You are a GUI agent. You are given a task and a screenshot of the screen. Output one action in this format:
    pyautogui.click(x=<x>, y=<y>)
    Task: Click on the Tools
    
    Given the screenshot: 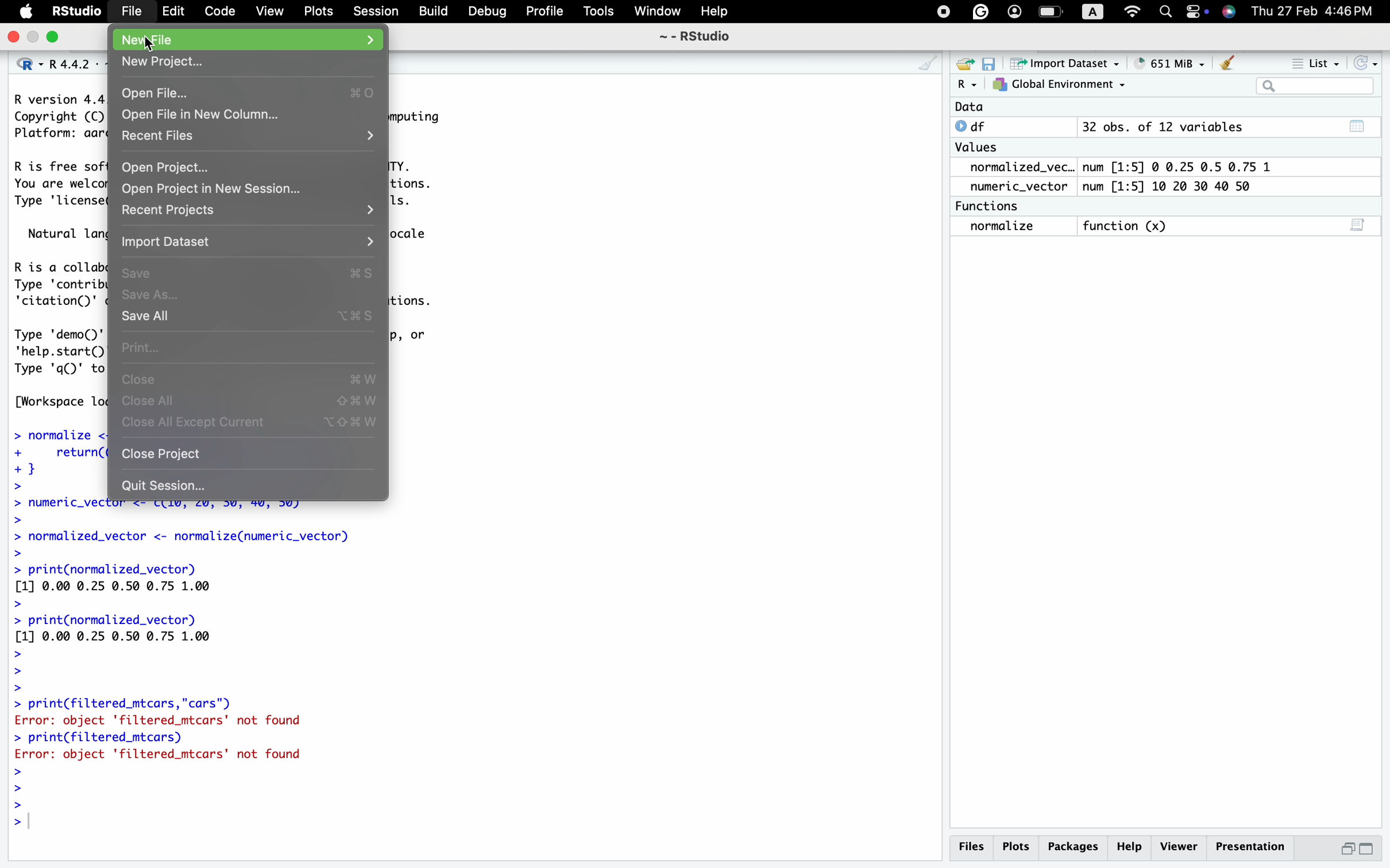 What is the action you would take?
    pyautogui.click(x=598, y=13)
    